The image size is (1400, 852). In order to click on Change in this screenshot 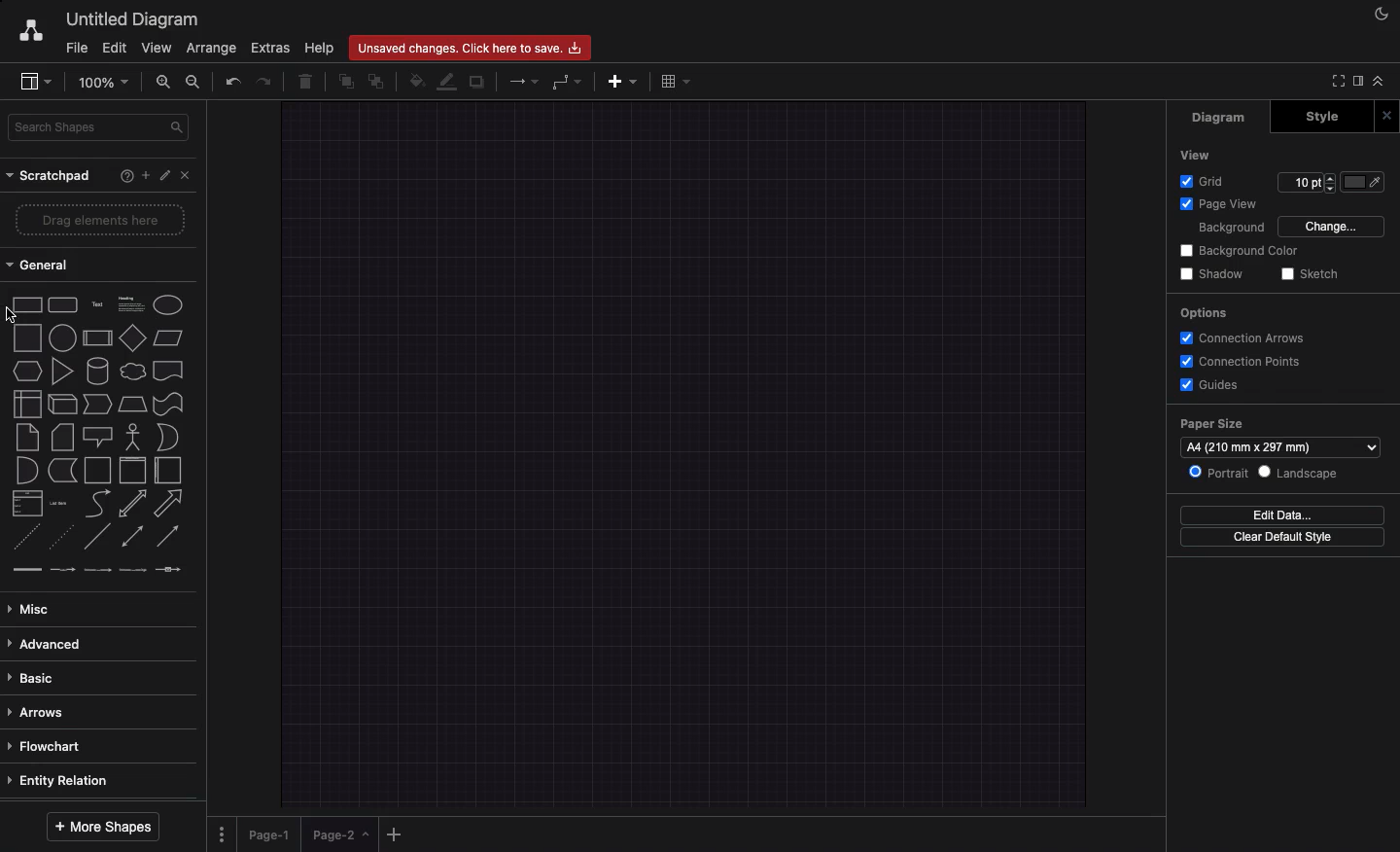, I will do `click(1334, 228)`.